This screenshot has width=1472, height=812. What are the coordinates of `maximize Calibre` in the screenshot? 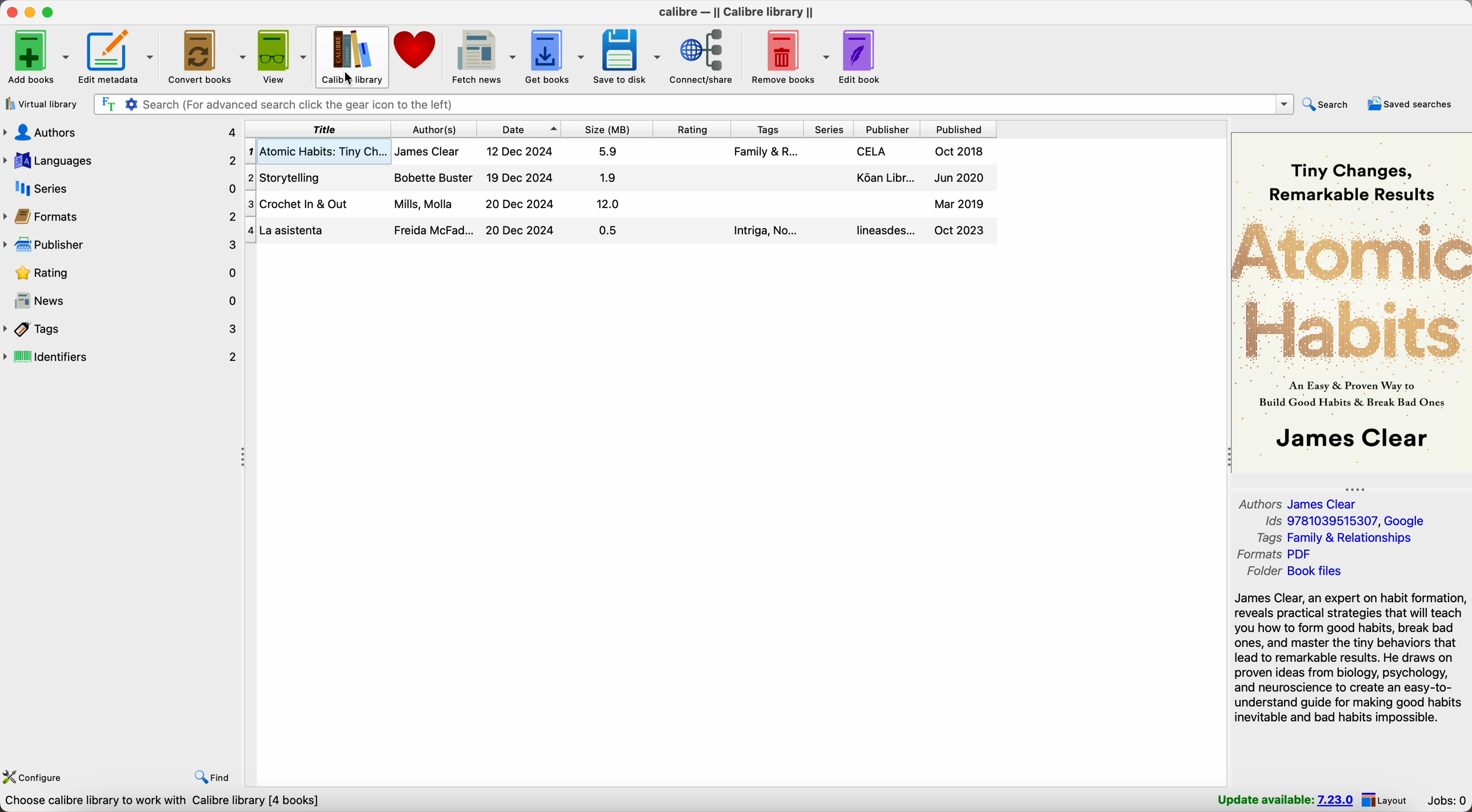 It's located at (50, 11).